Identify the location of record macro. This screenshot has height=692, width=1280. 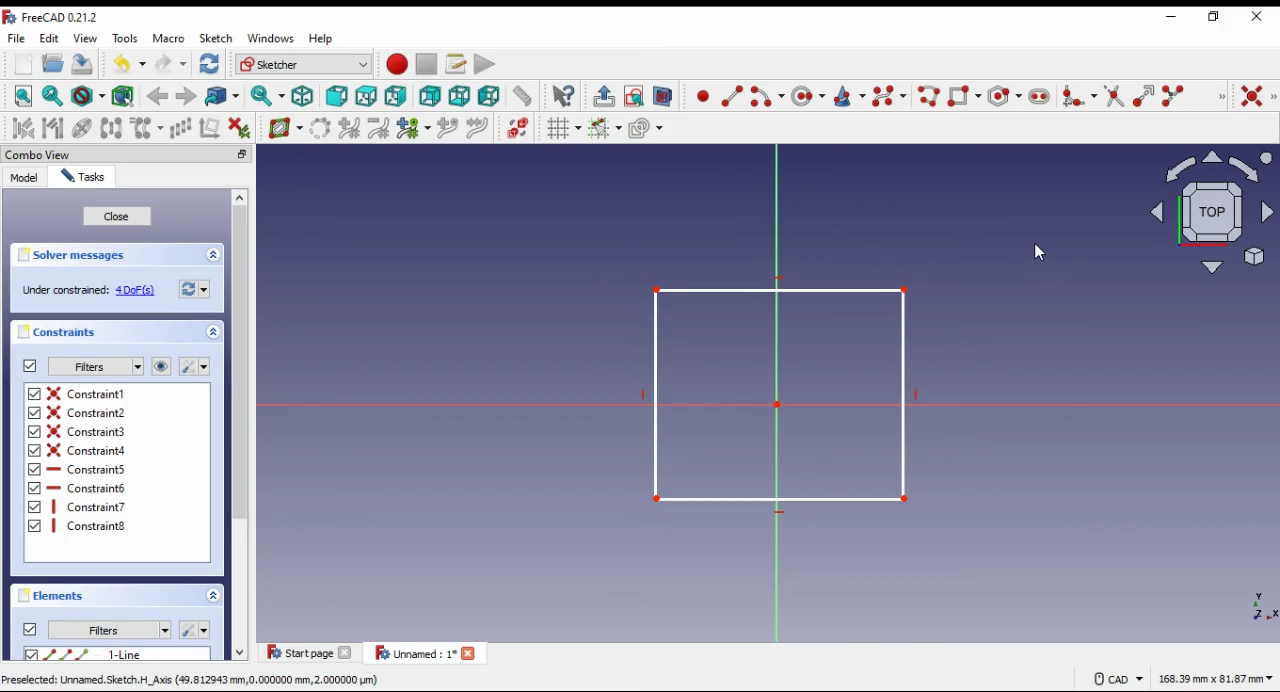
(396, 64).